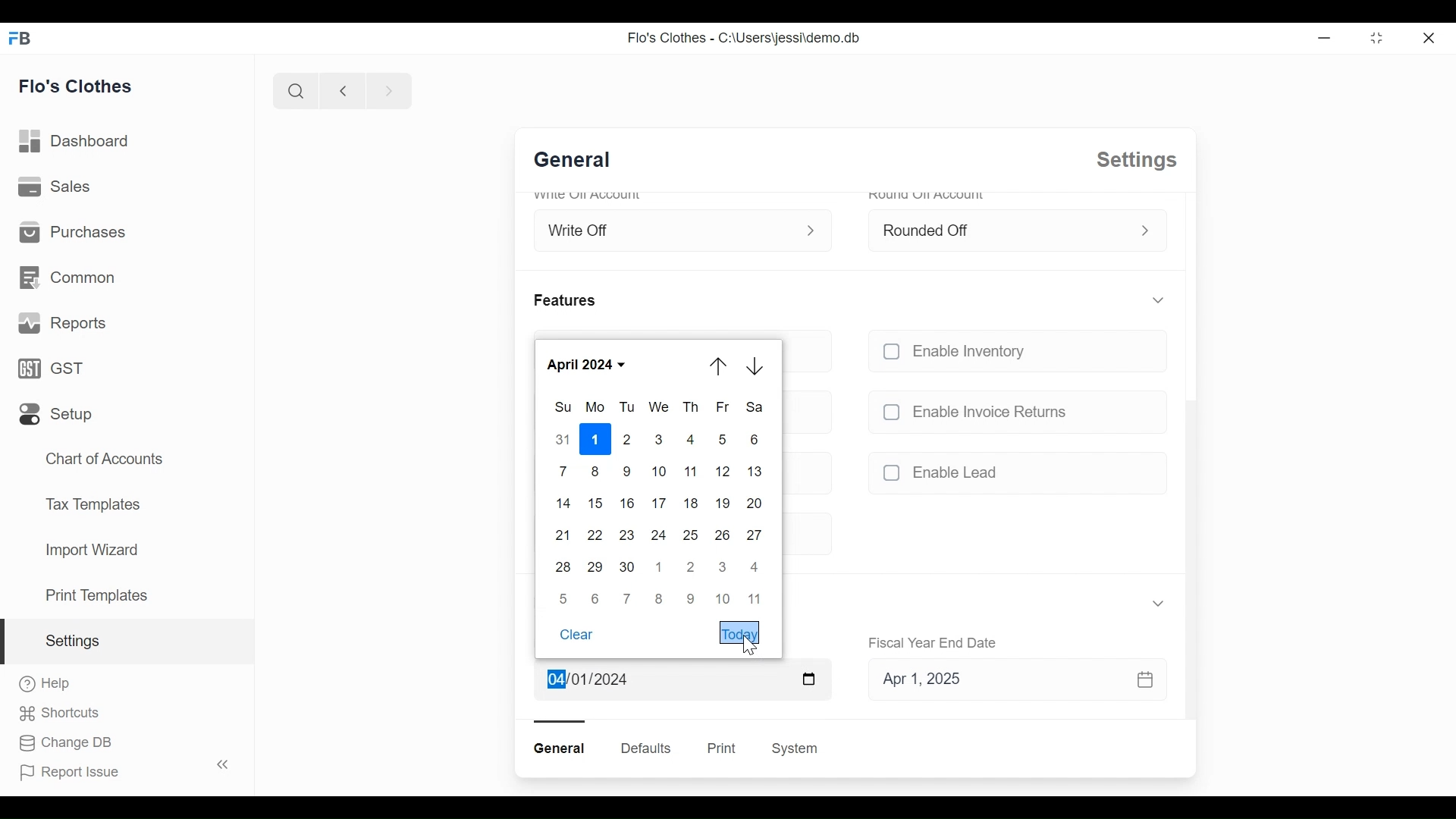  Describe the element at coordinates (661, 535) in the screenshot. I see `24` at that location.